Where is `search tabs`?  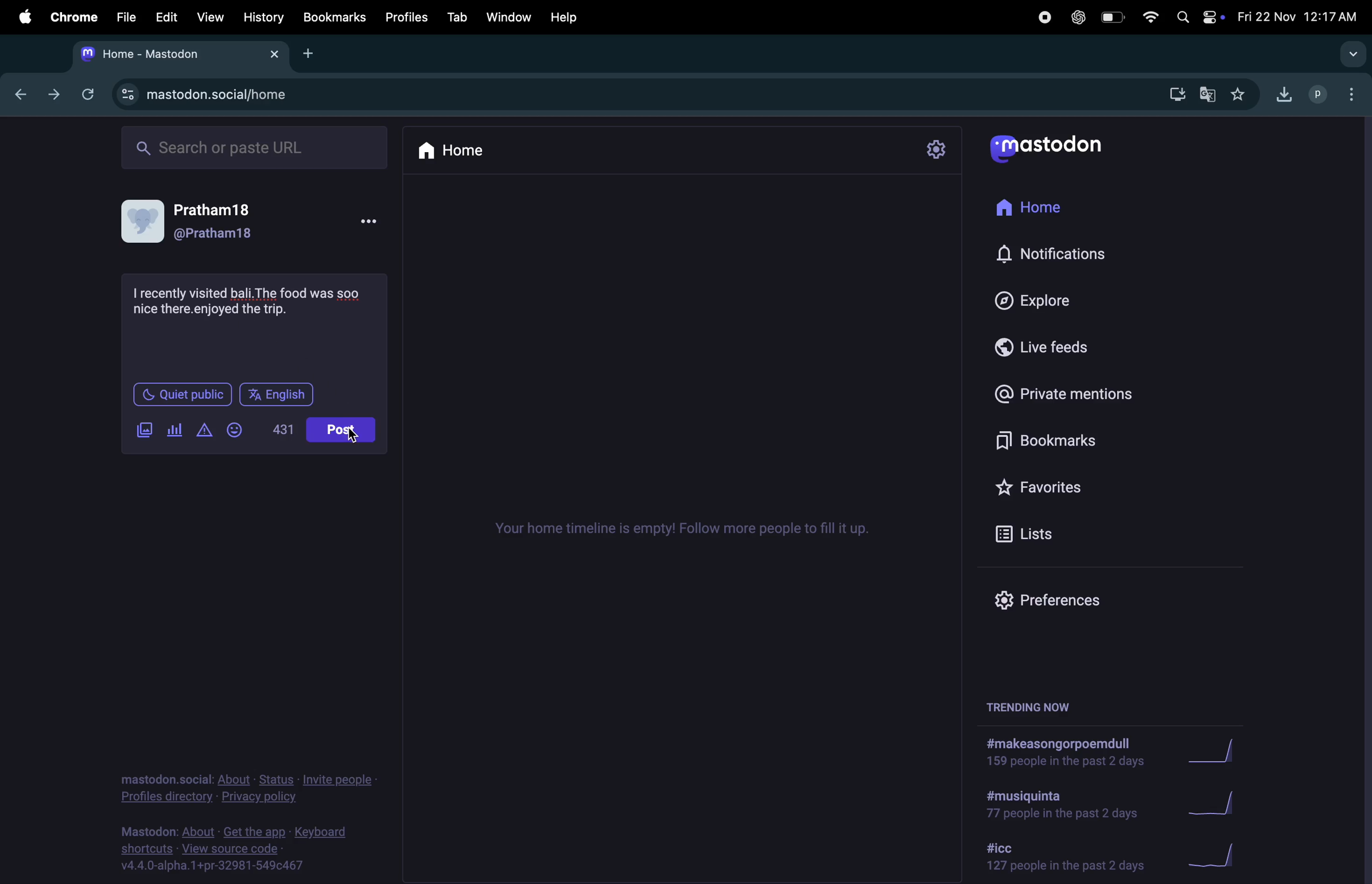 search tabs is located at coordinates (1348, 55).